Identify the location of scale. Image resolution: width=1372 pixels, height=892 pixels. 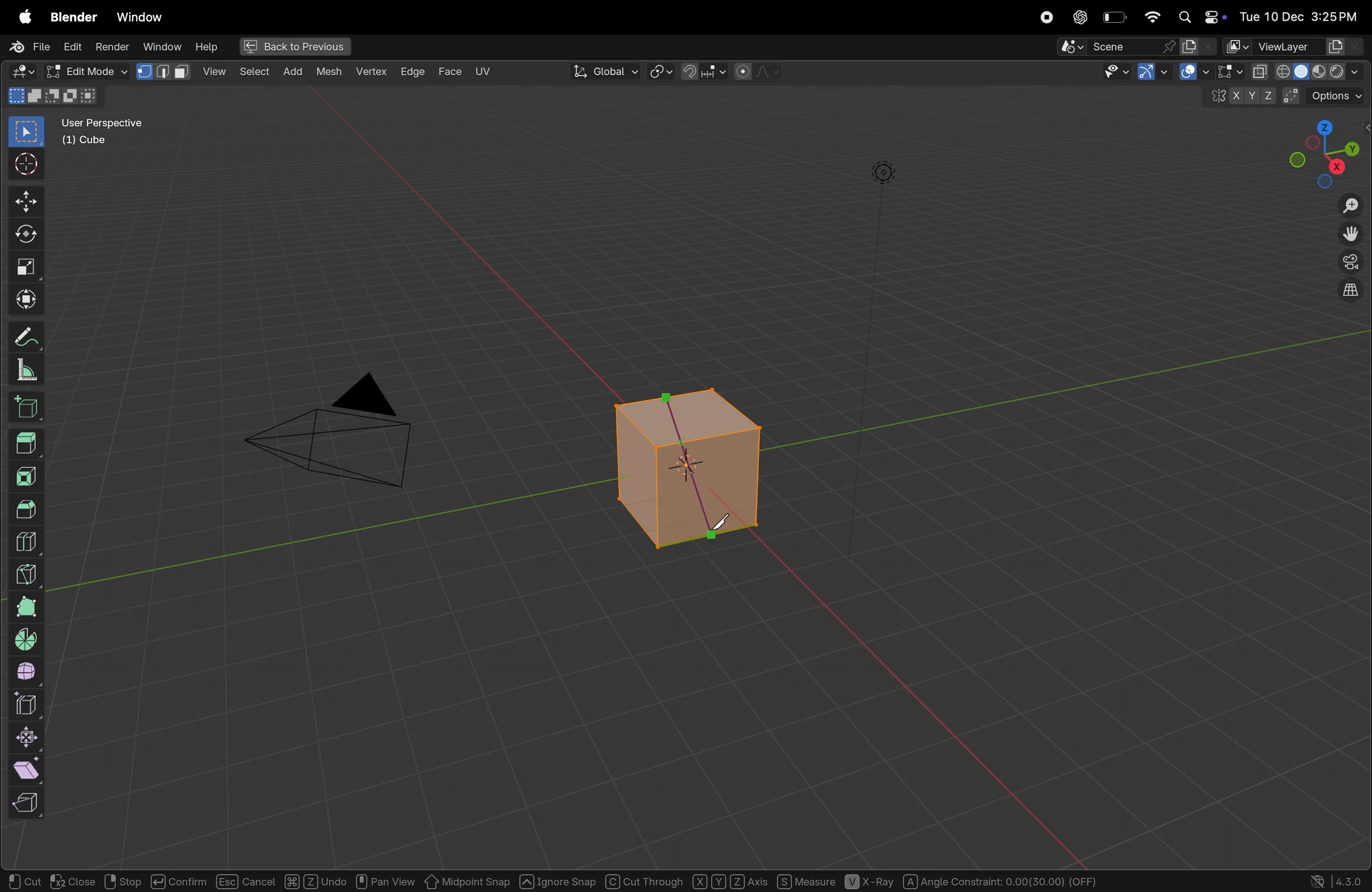
(22, 269).